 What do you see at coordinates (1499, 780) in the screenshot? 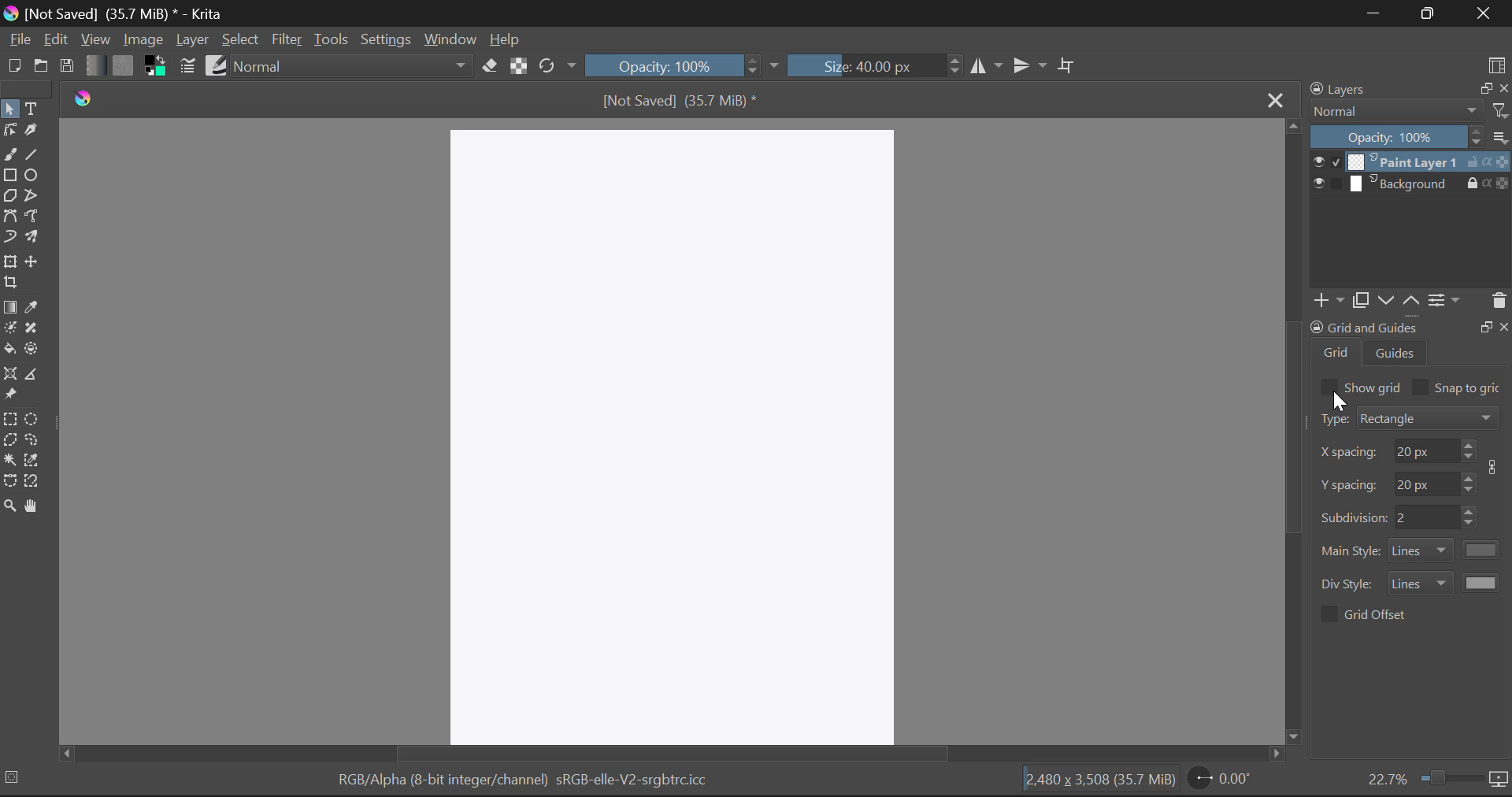
I see `icon` at bounding box center [1499, 780].